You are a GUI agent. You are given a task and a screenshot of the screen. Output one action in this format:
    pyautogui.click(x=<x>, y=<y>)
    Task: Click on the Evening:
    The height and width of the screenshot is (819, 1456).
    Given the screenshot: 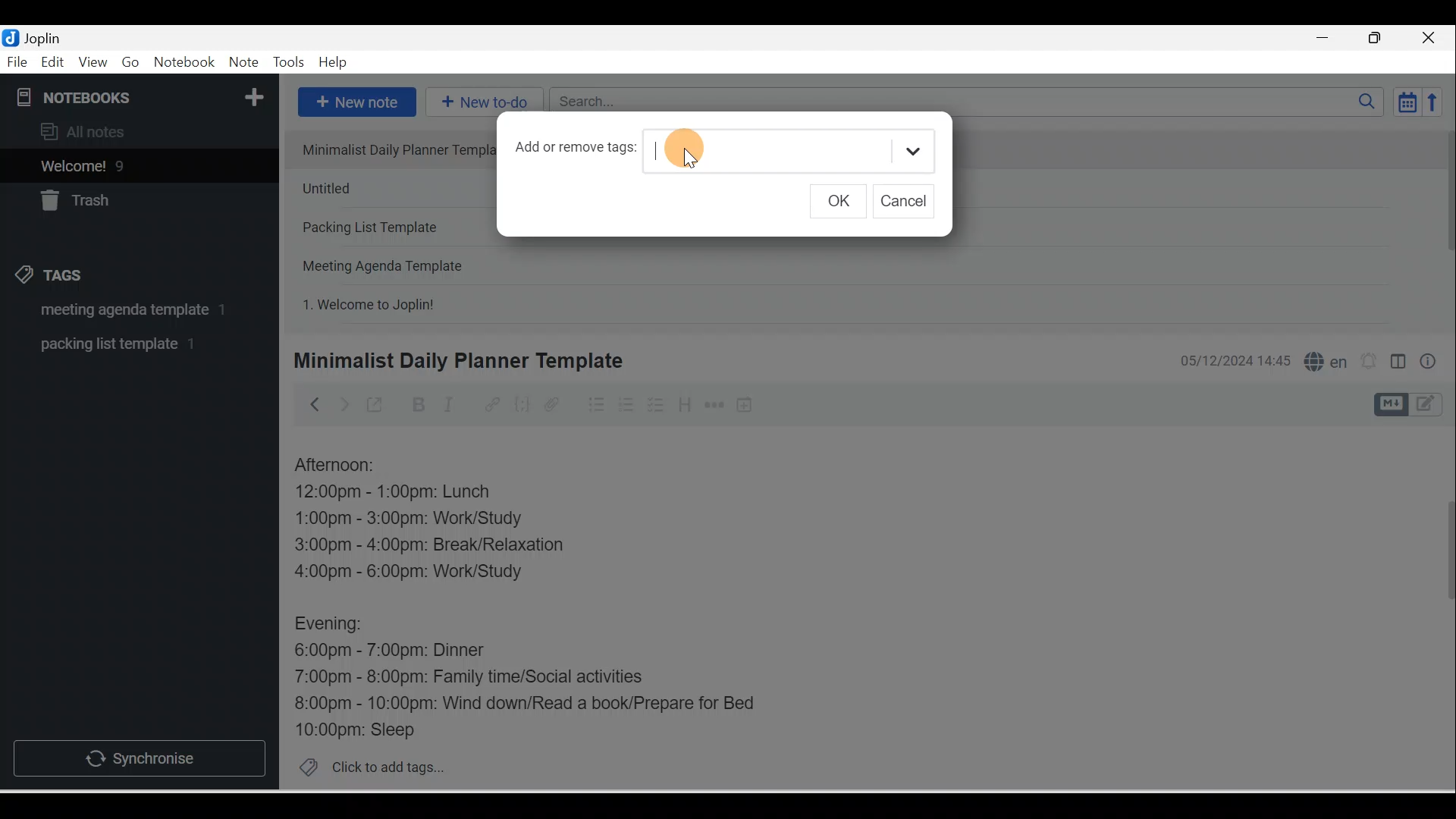 What is the action you would take?
    pyautogui.click(x=339, y=626)
    